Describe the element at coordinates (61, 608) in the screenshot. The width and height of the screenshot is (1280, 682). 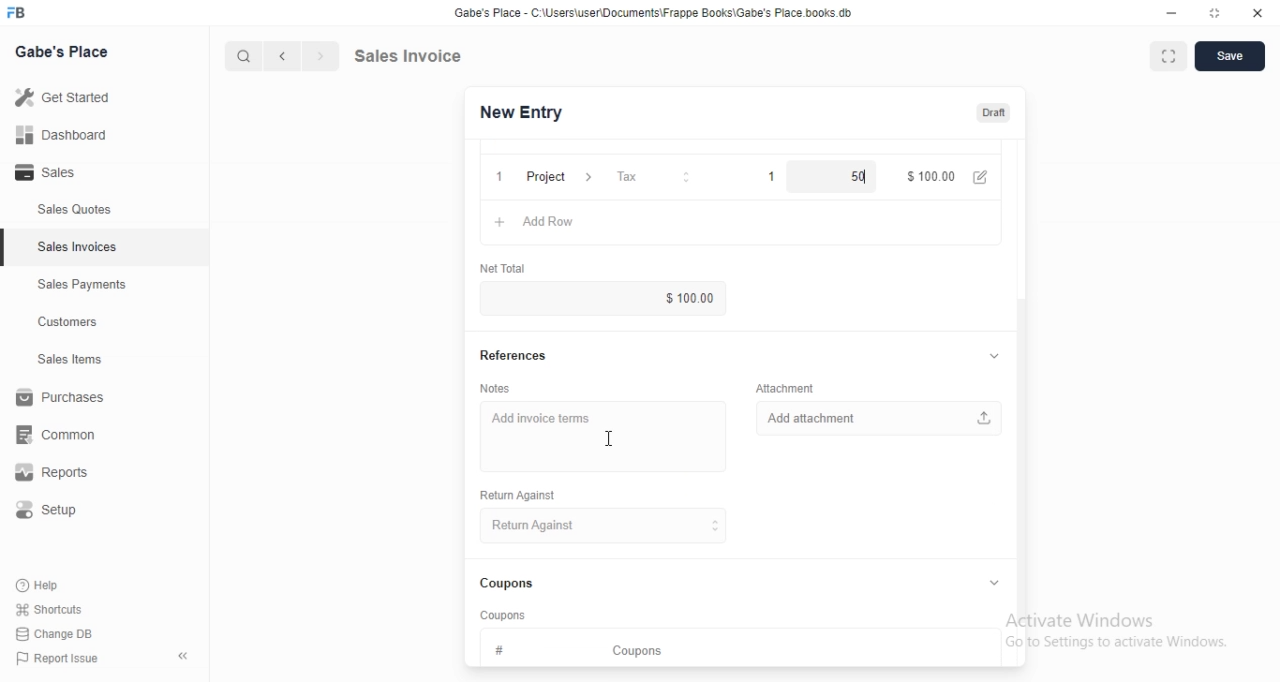
I see `Shortcuts` at that location.